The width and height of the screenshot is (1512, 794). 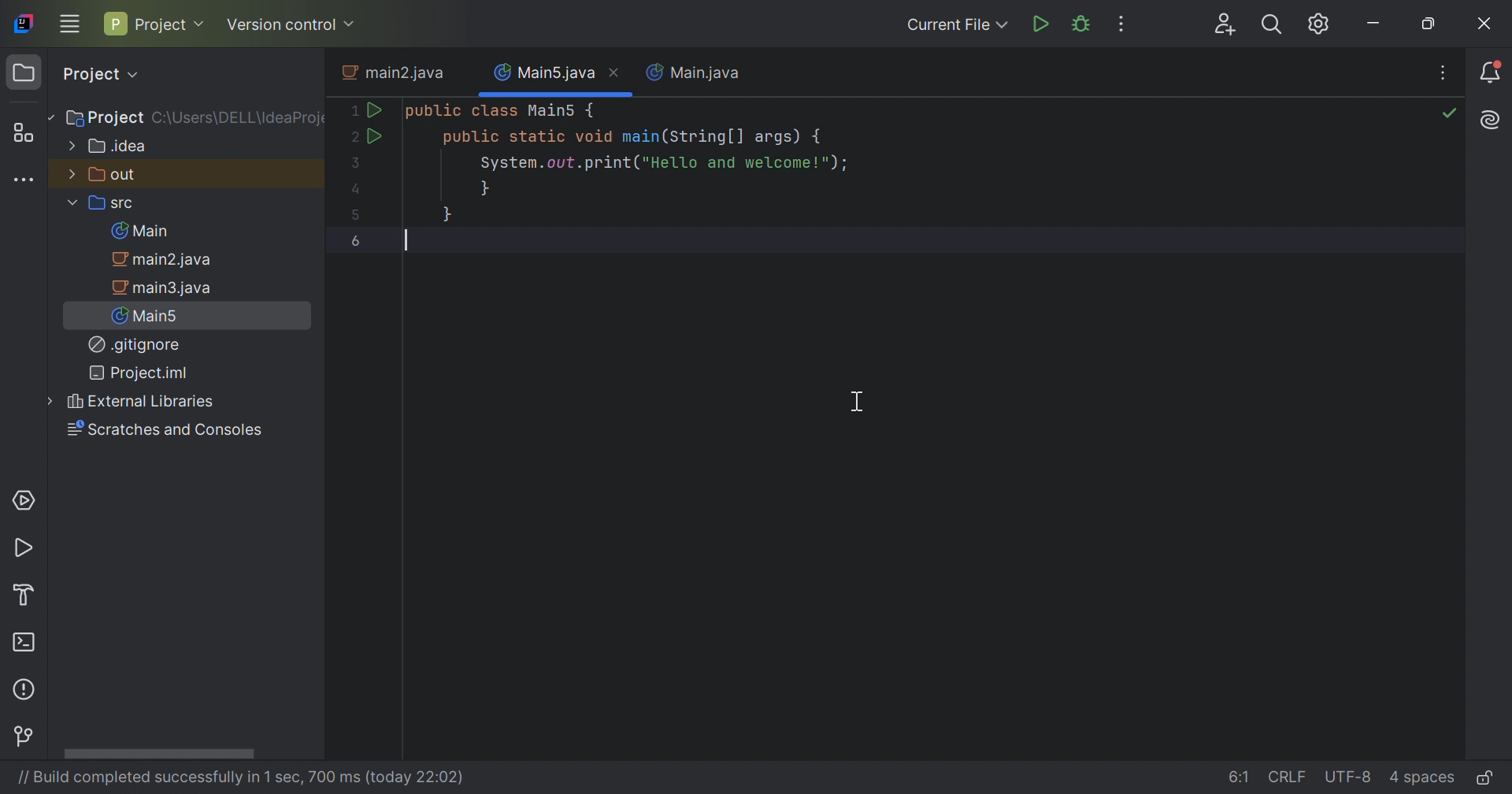 I want to click on Project, so click(x=100, y=74).